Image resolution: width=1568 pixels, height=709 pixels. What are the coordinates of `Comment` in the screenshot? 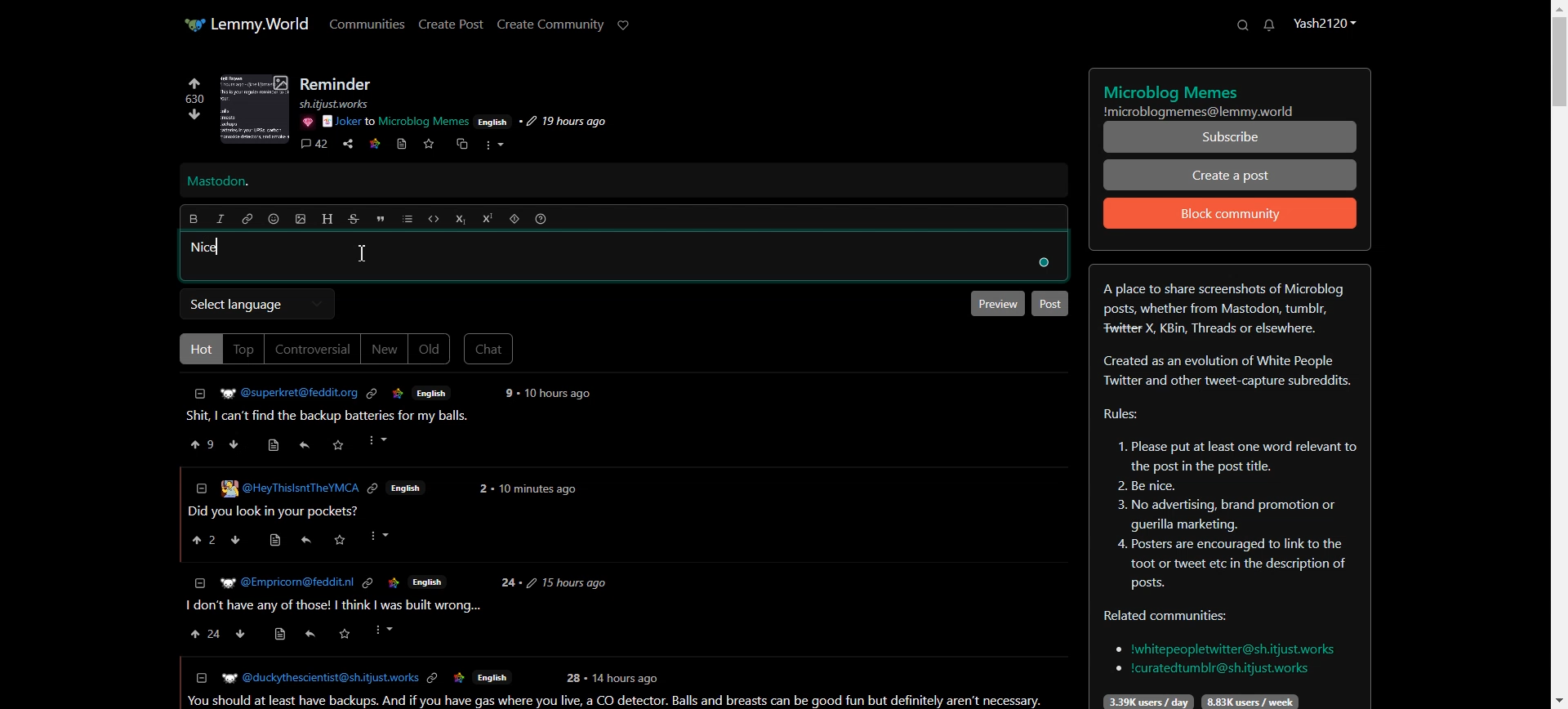 It's located at (314, 145).